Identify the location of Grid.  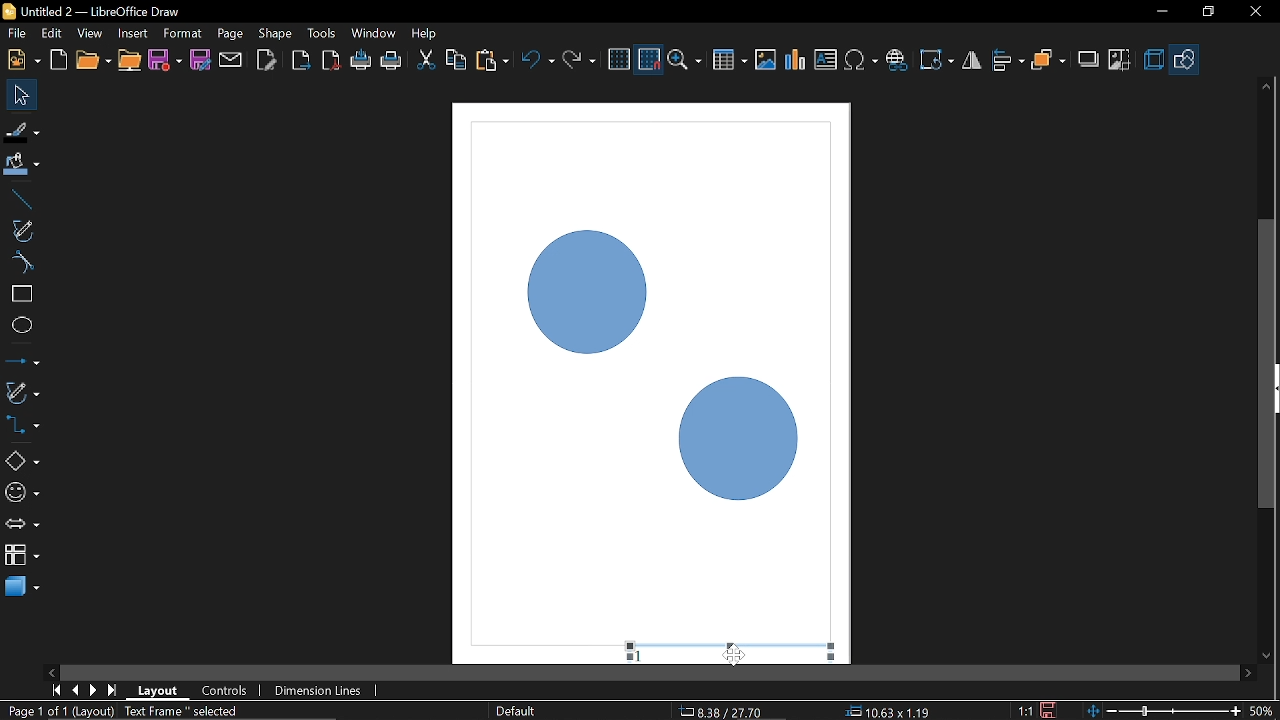
(619, 60).